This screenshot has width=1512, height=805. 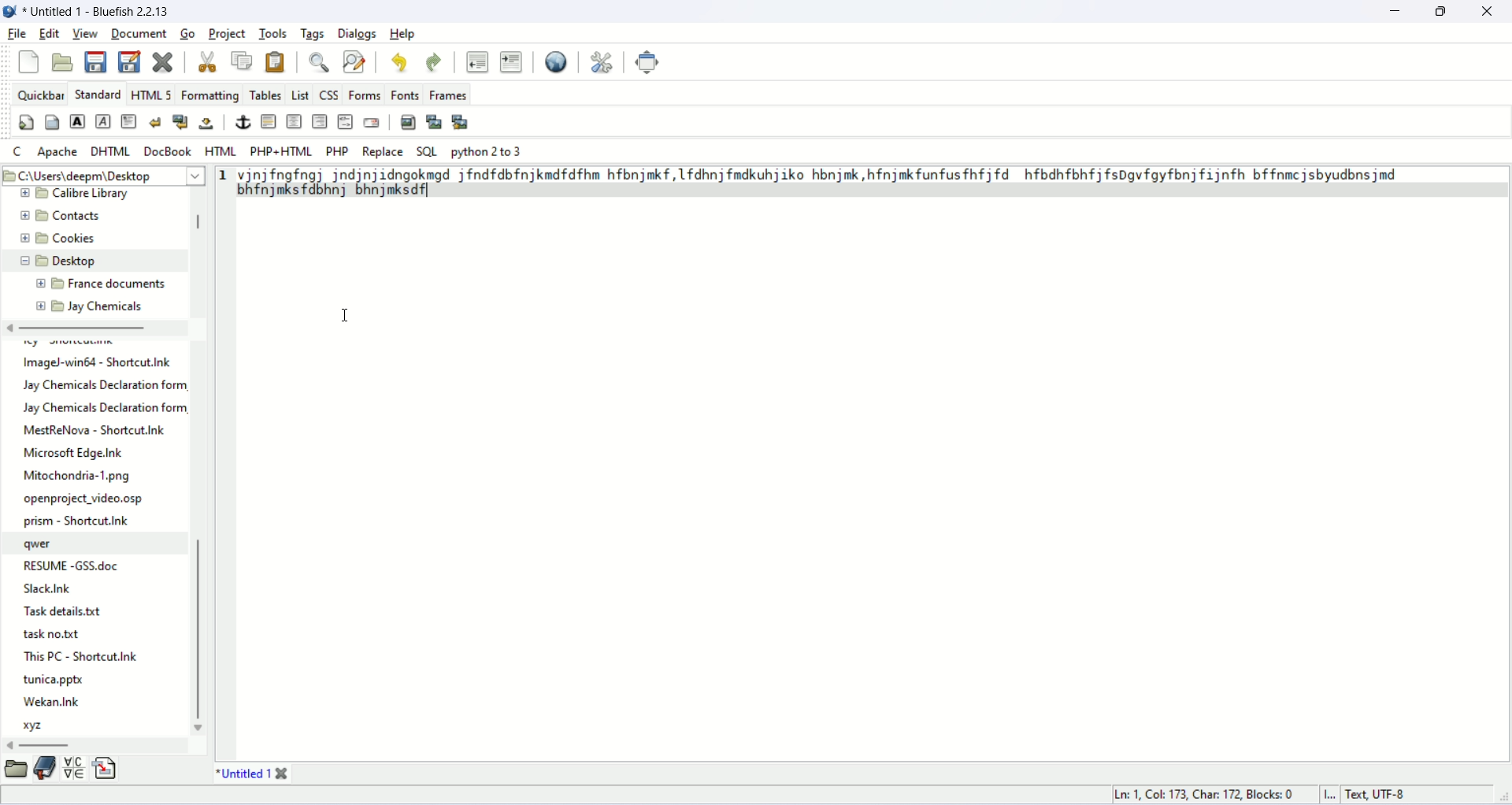 What do you see at coordinates (1335, 796) in the screenshot?
I see `I` at bounding box center [1335, 796].